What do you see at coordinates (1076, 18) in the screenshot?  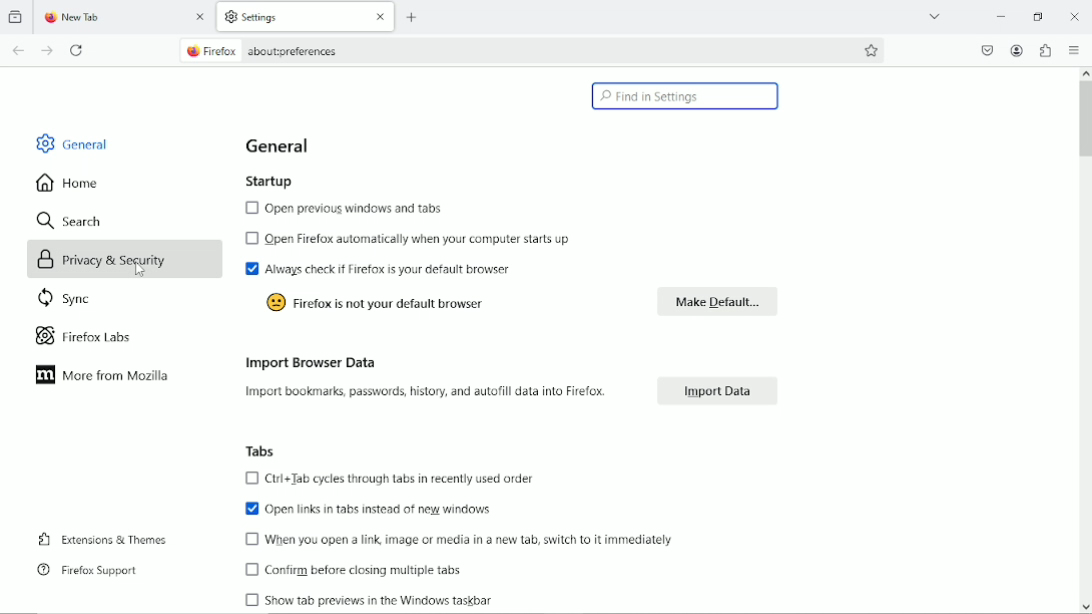 I see `Close` at bounding box center [1076, 18].